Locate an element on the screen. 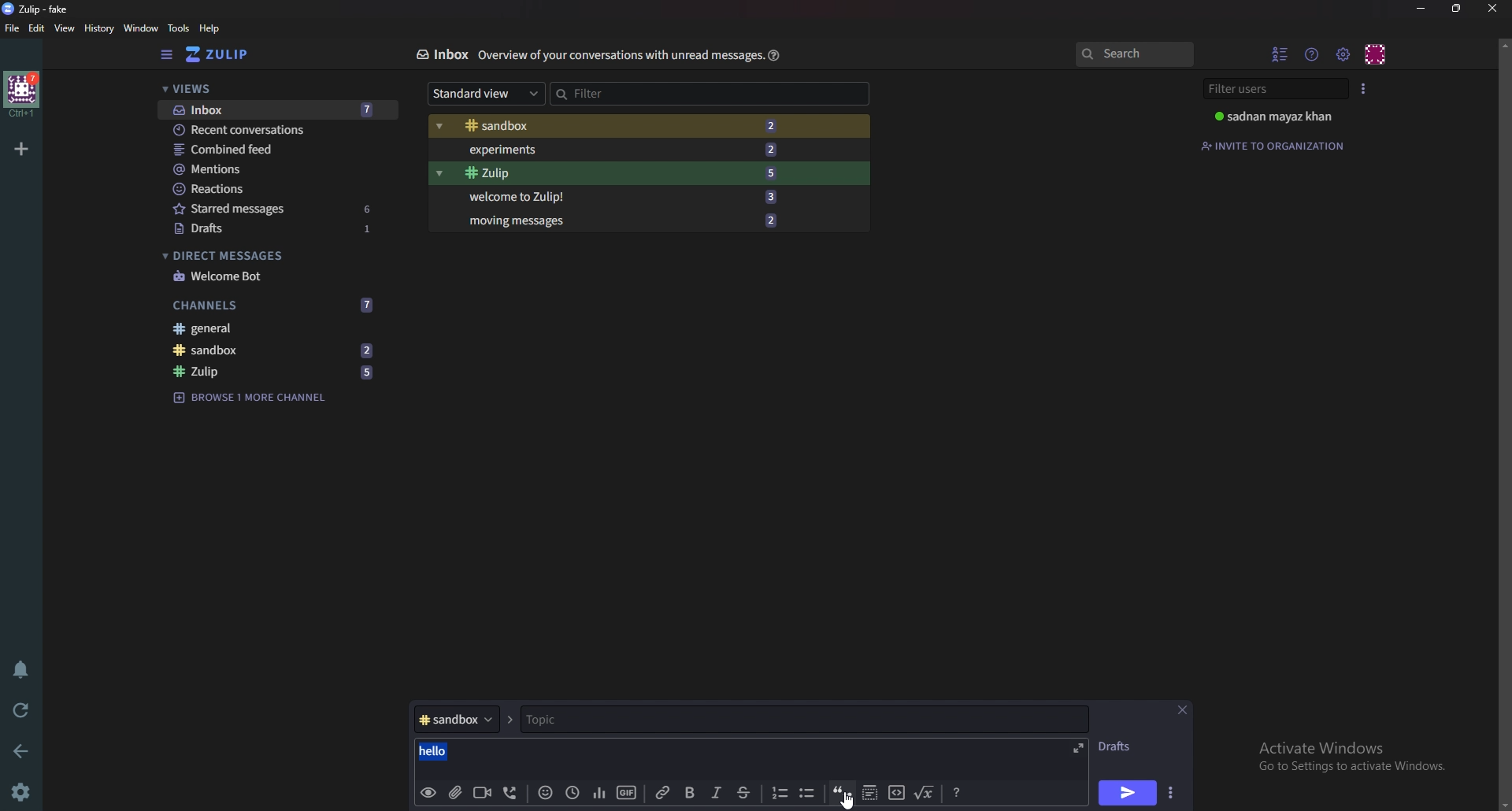 The image size is (1512, 811). Filter is located at coordinates (710, 94).